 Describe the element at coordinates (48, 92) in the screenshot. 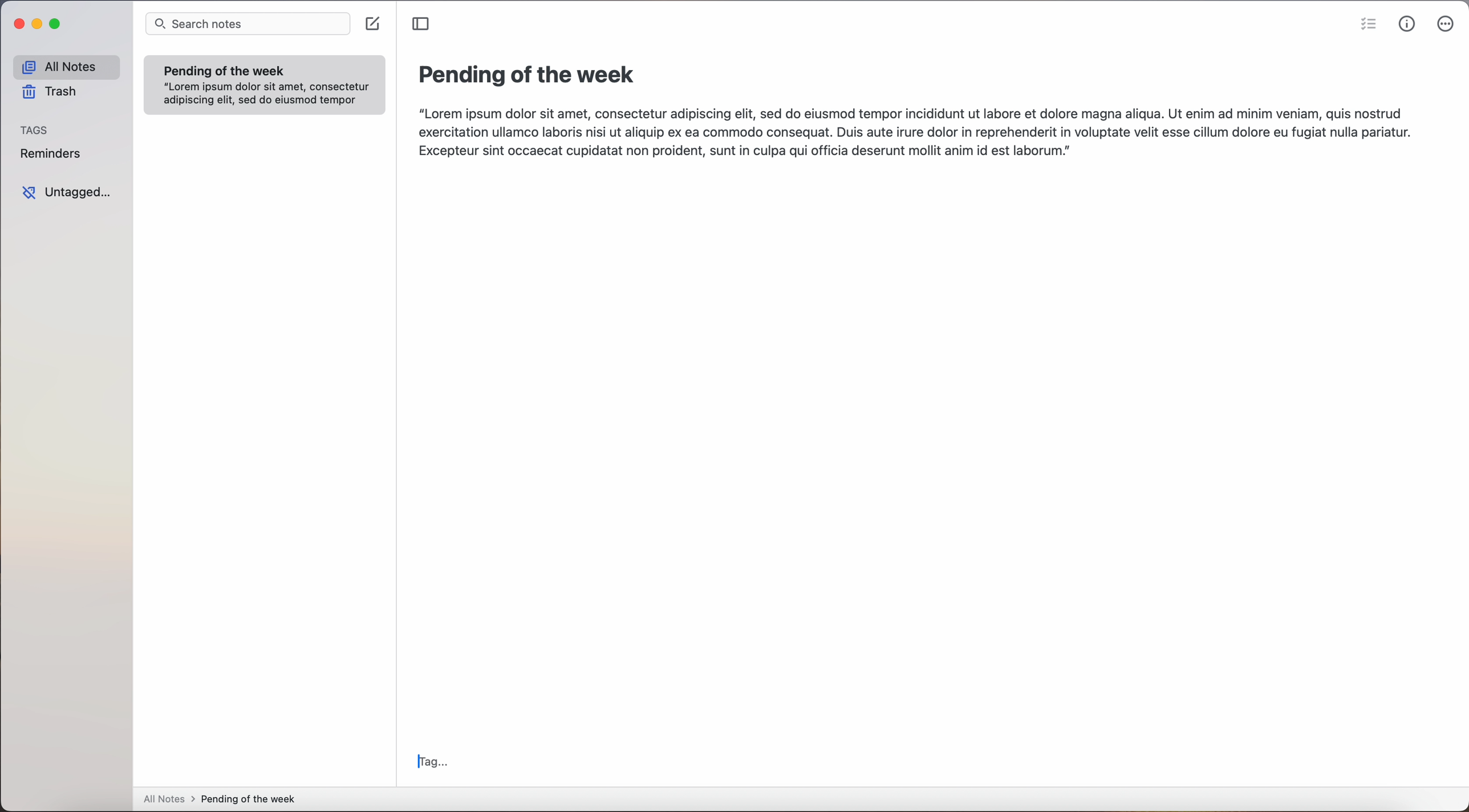

I see `trash` at that location.